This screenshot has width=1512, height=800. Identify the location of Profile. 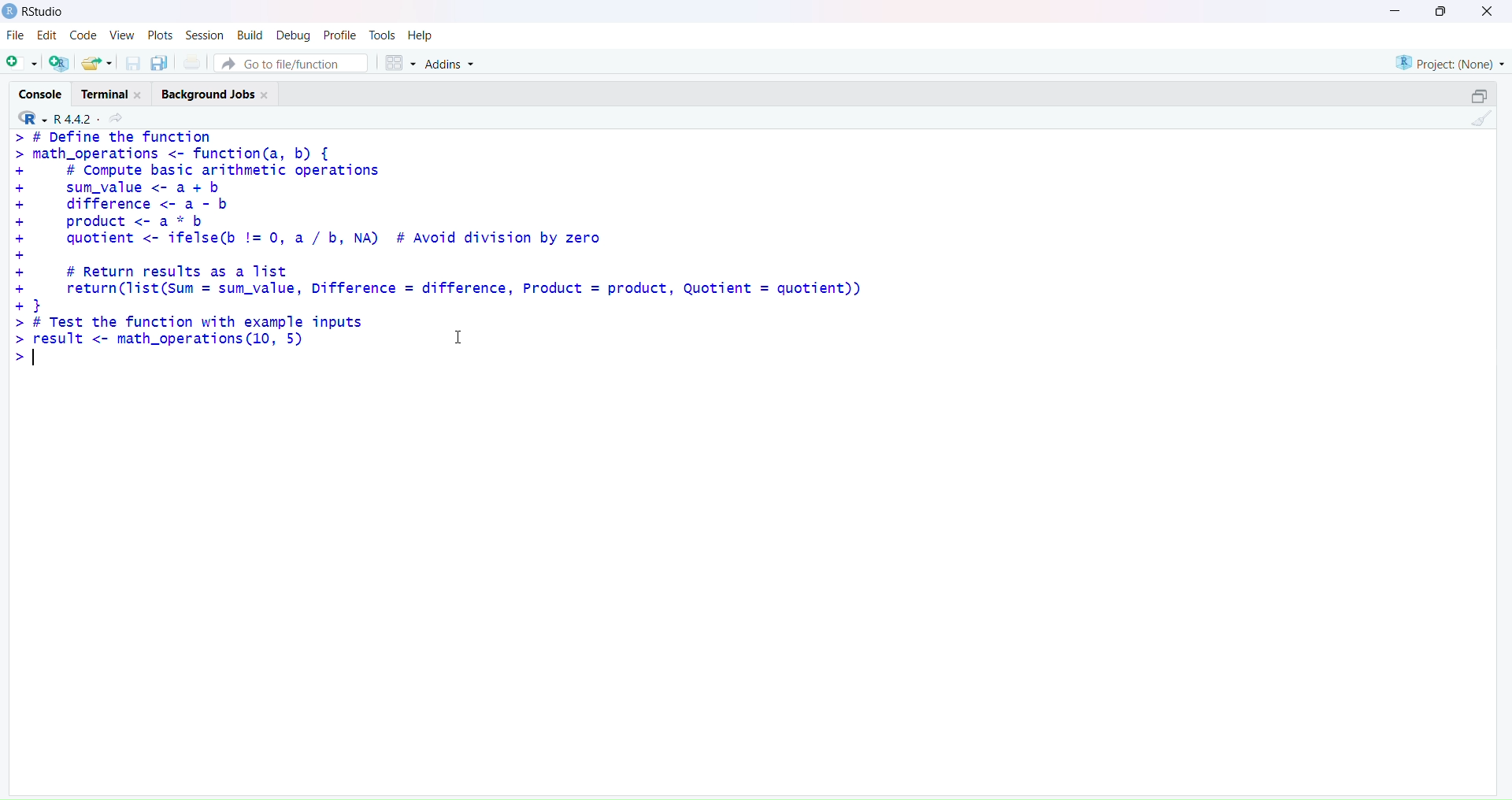
(339, 33).